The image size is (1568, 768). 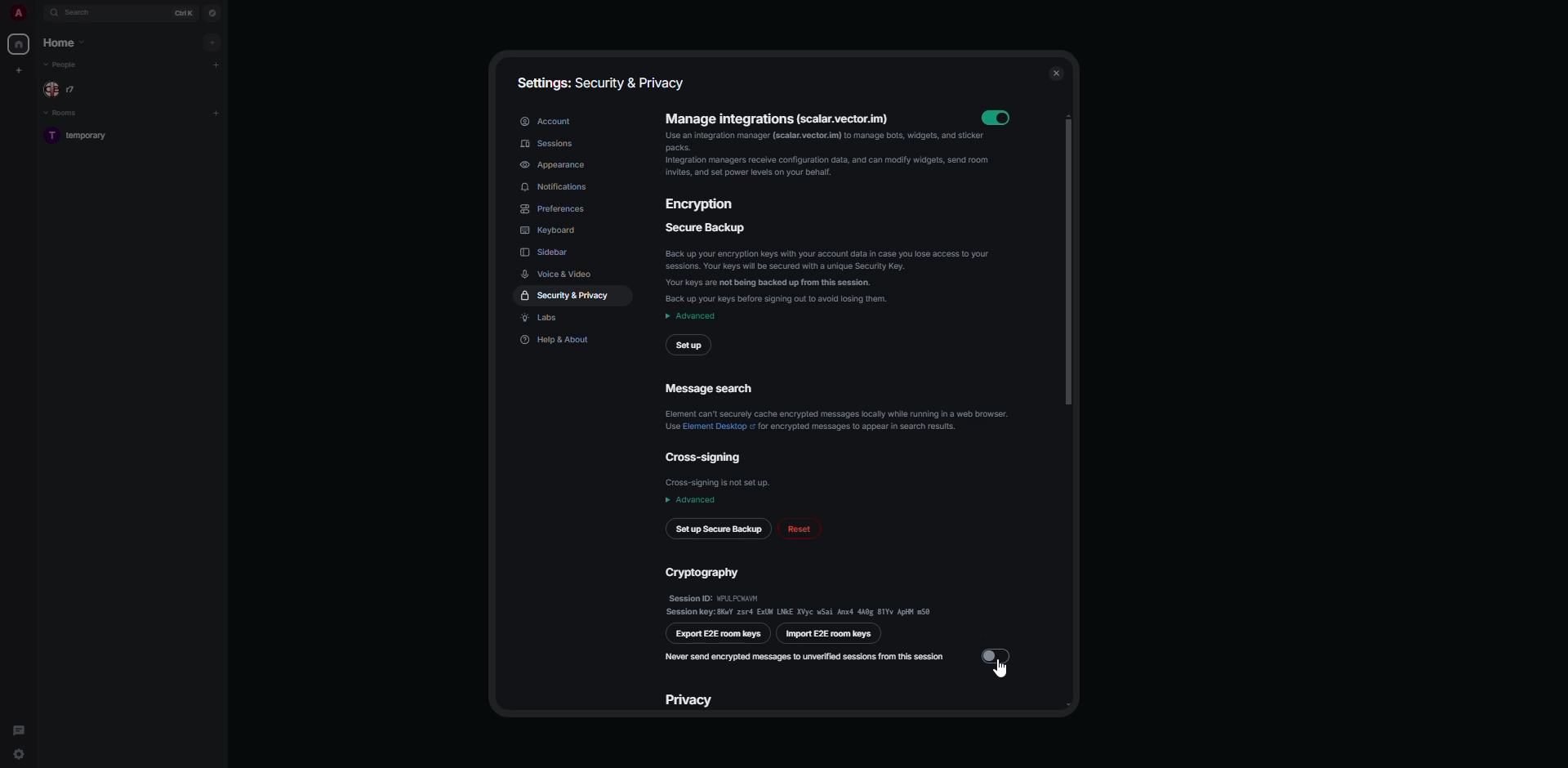 I want to click on quick settings, so click(x=17, y=757).